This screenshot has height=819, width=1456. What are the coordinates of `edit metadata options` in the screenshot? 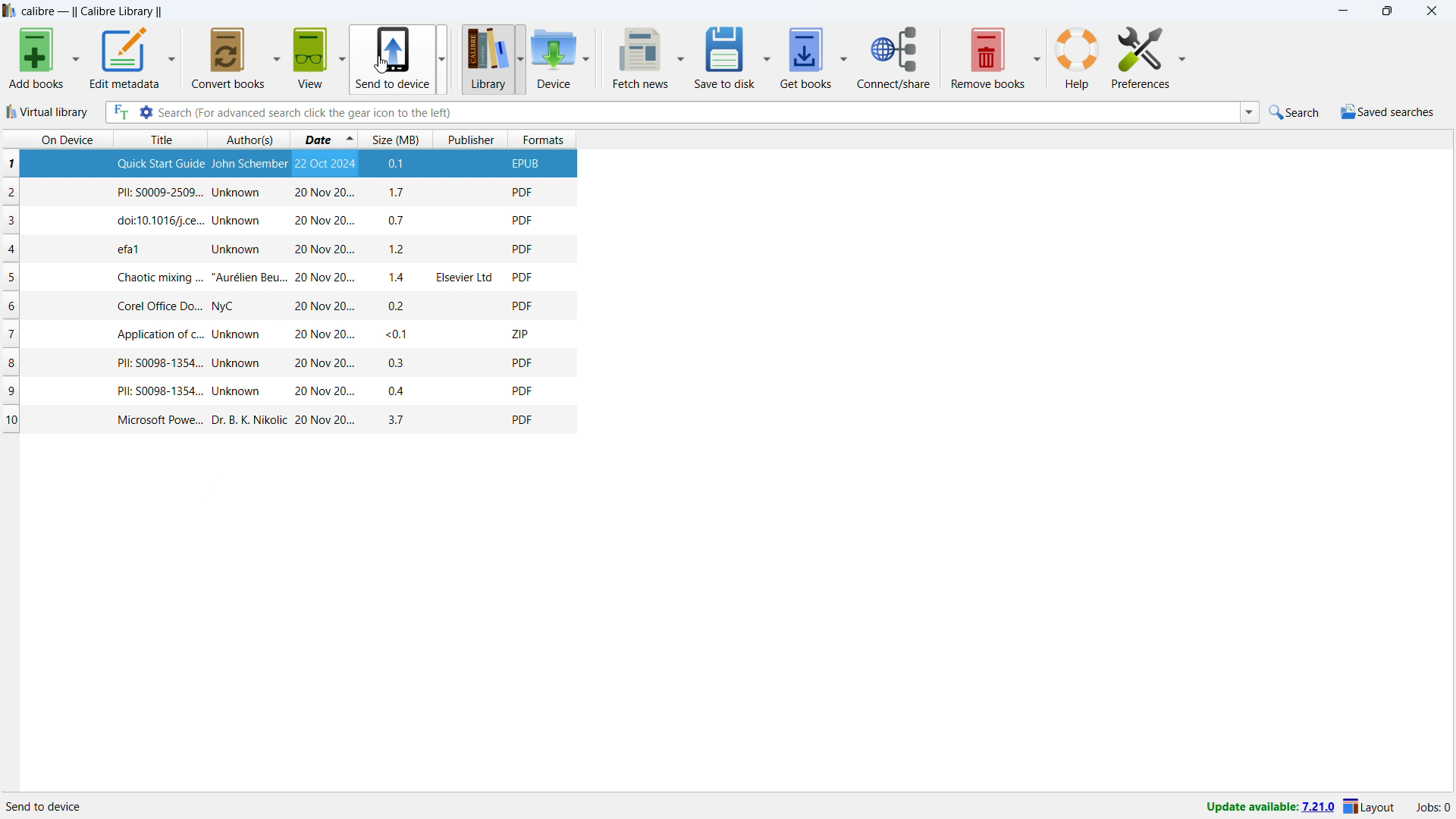 It's located at (173, 57).